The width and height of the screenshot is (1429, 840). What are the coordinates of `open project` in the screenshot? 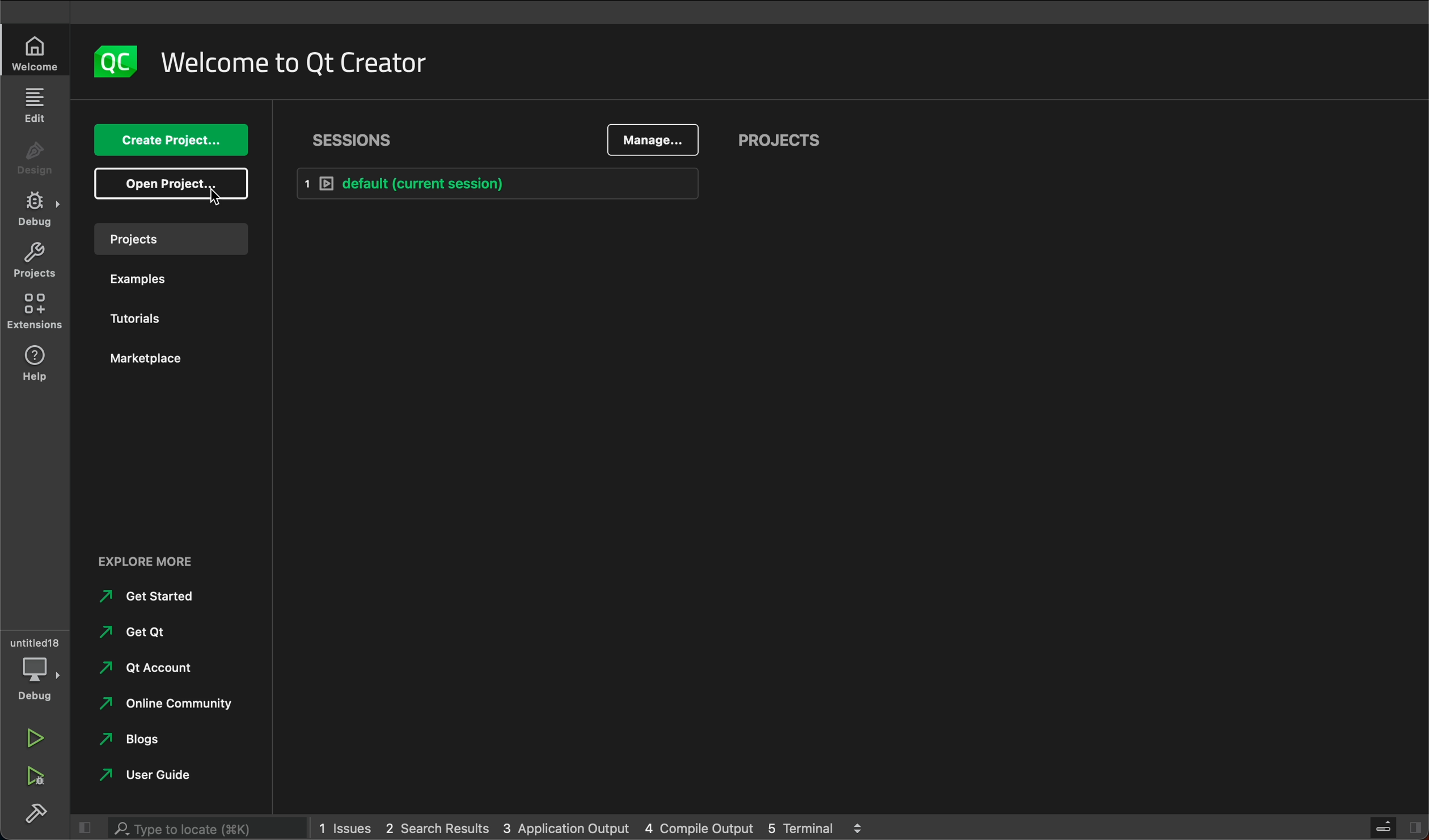 It's located at (162, 185).